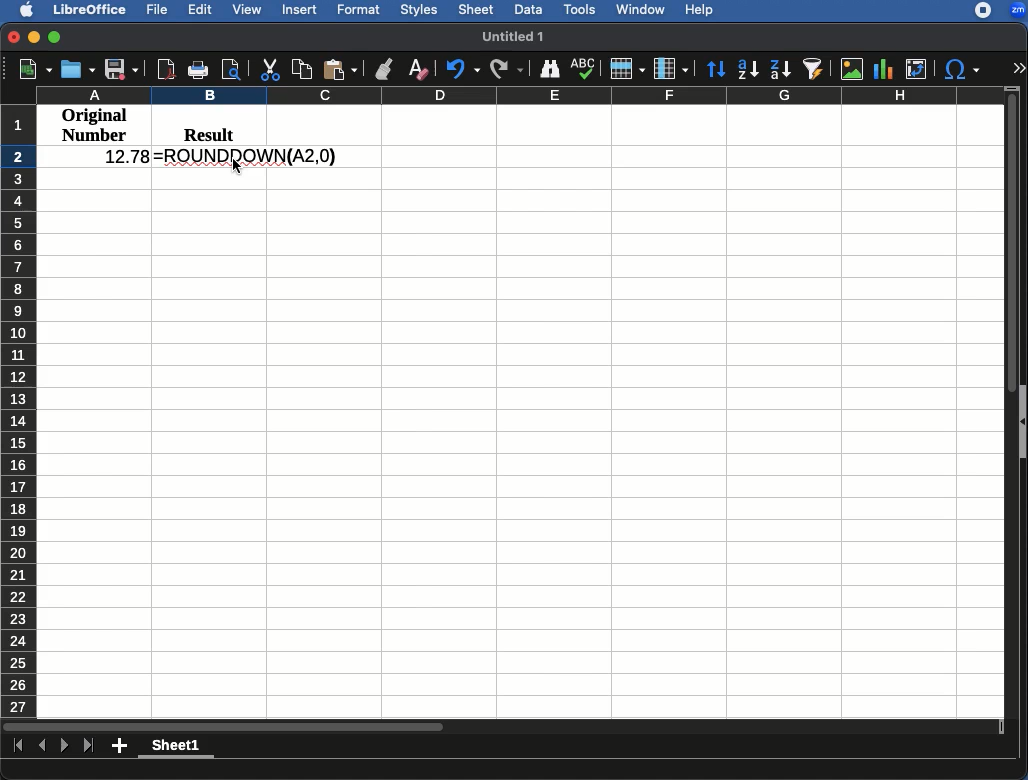  Describe the element at coordinates (232, 70) in the screenshot. I see `Print preview ` at that location.